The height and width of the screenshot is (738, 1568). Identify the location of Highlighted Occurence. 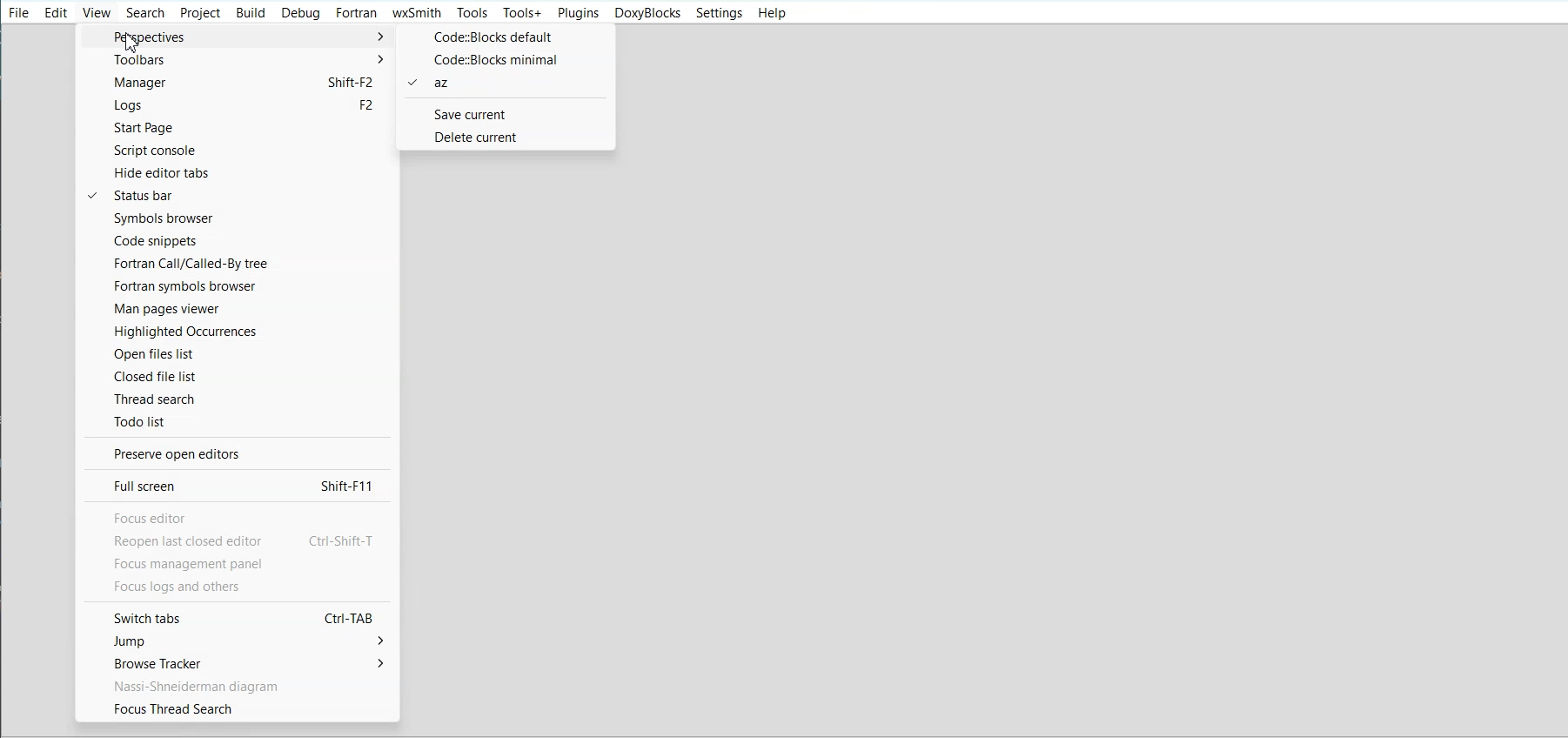
(236, 331).